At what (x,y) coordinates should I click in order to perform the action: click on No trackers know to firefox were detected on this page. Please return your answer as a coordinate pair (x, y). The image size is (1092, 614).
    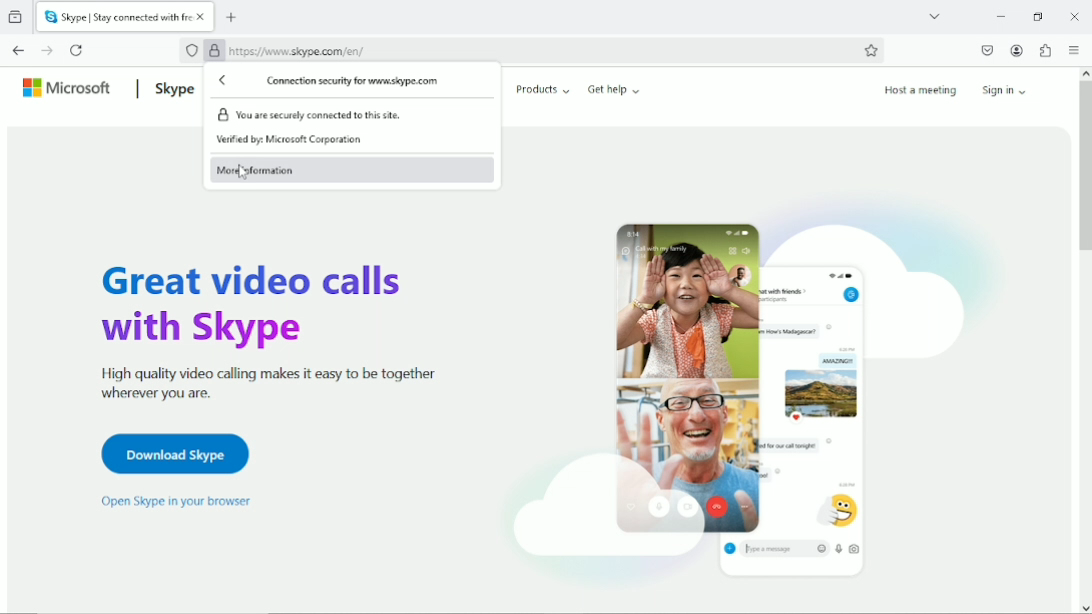
    Looking at the image, I should click on (192, 52).